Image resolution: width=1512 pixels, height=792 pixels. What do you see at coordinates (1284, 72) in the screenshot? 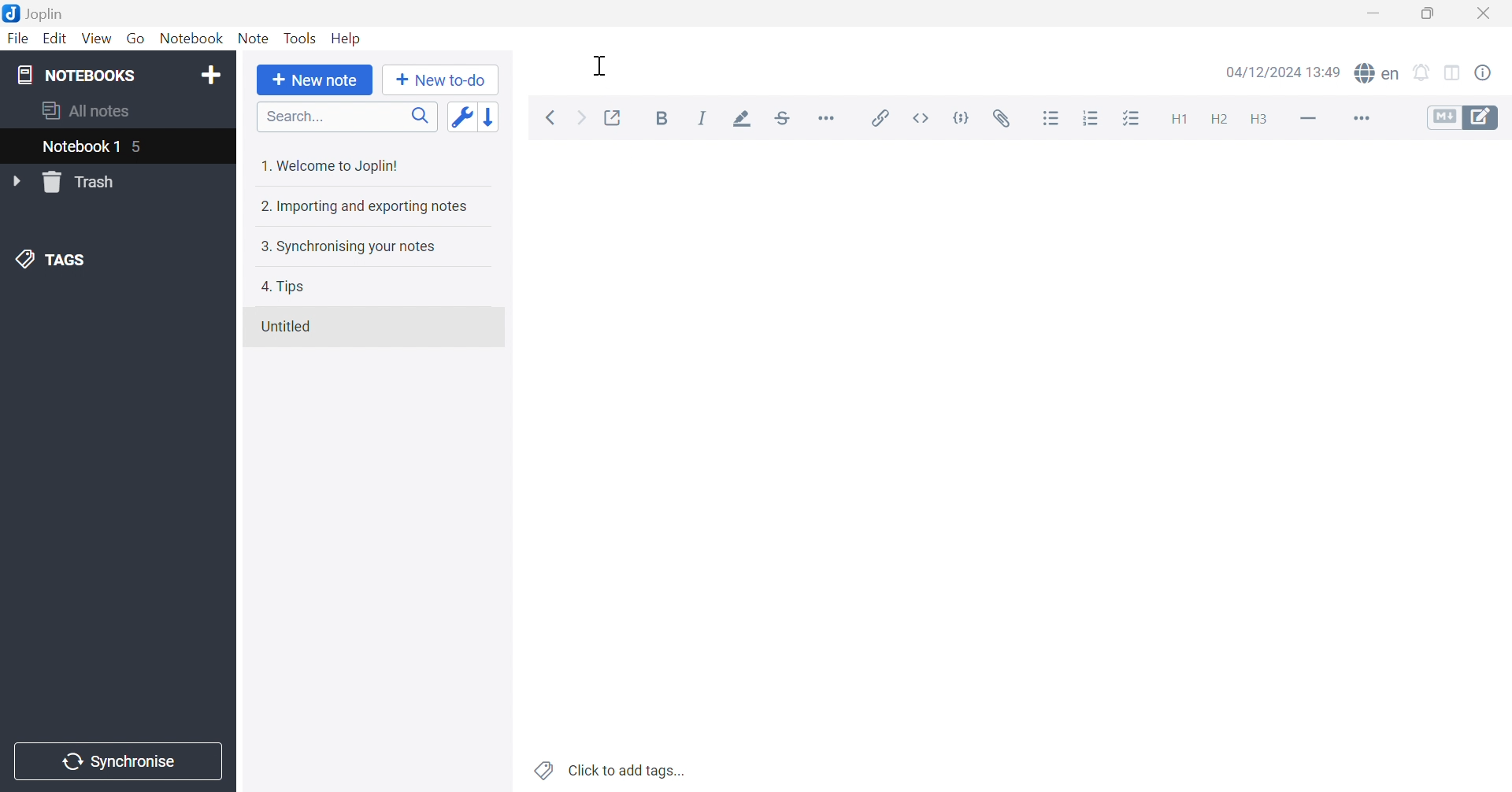
I see `04/12/2024 13:49` at bounding box center [1284, 72].